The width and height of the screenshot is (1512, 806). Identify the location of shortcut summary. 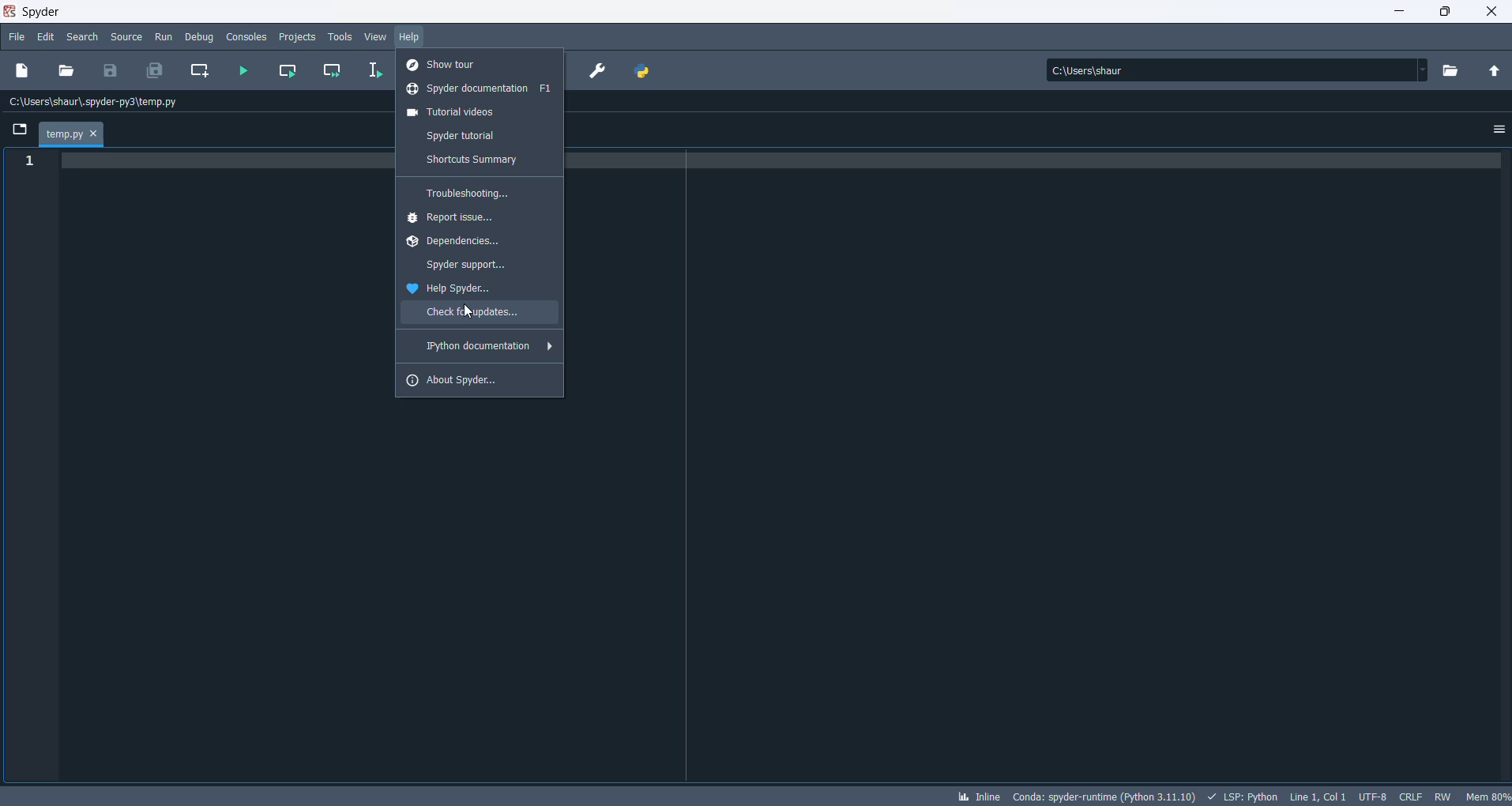
(483, 160).